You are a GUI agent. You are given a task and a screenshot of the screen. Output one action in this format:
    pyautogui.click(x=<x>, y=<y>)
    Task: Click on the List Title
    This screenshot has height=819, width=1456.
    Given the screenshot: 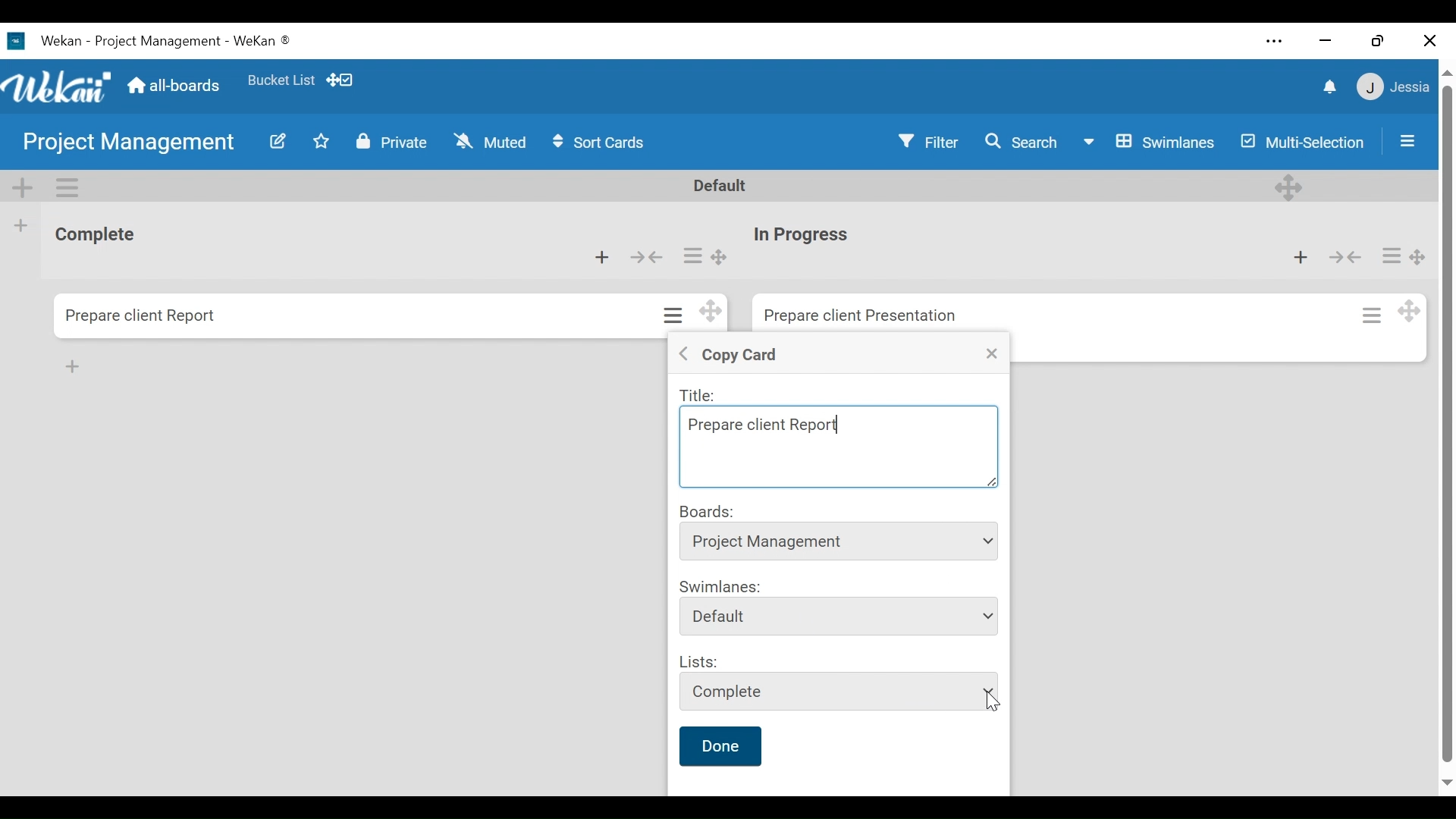 What is the action you would take?
    pyautogui.click(x=102, y=236)
    